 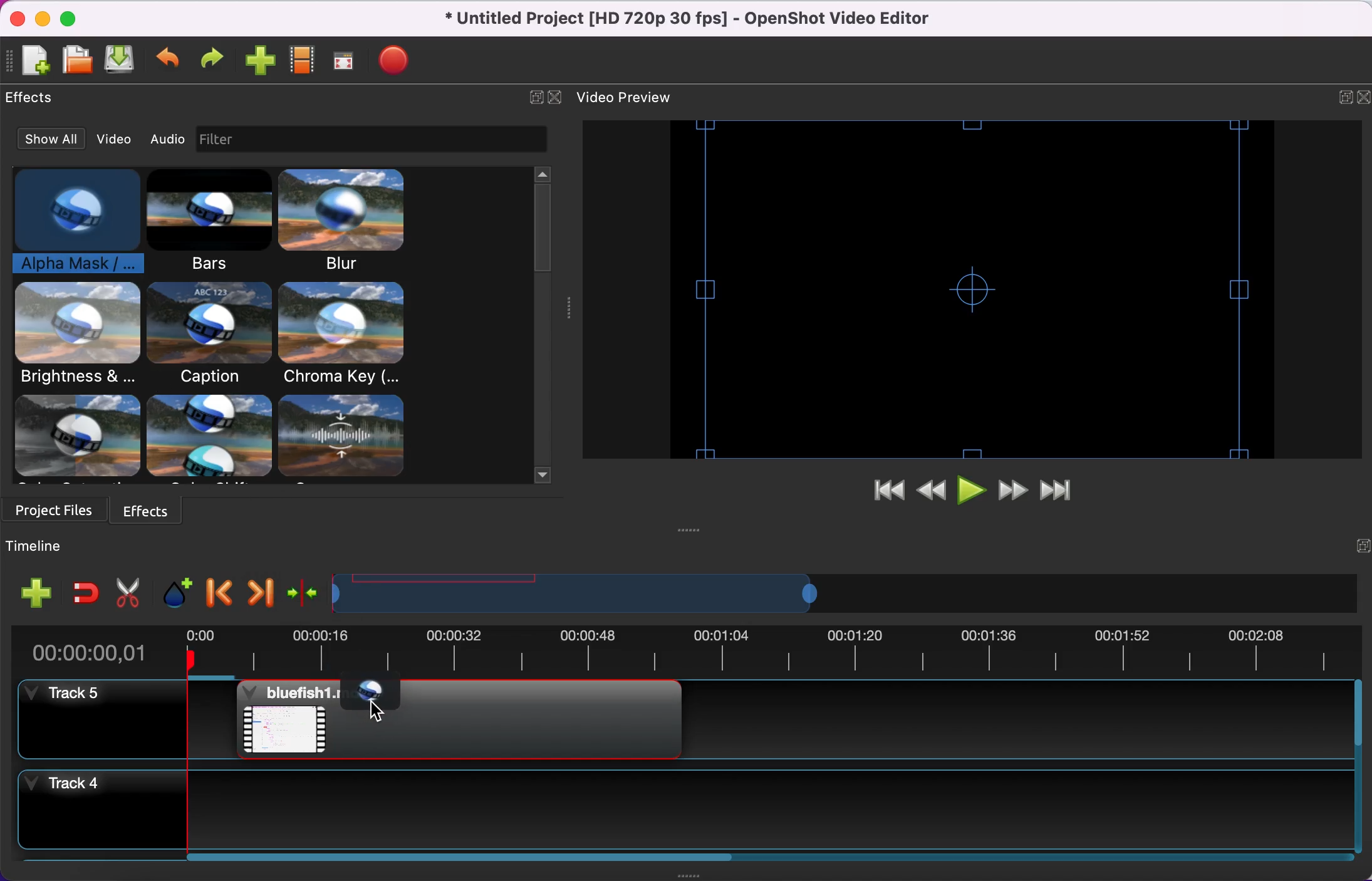 What do you see at coordinates (123, 62) in the screenshot?
I see `save file` at bounding box center [123, 62].